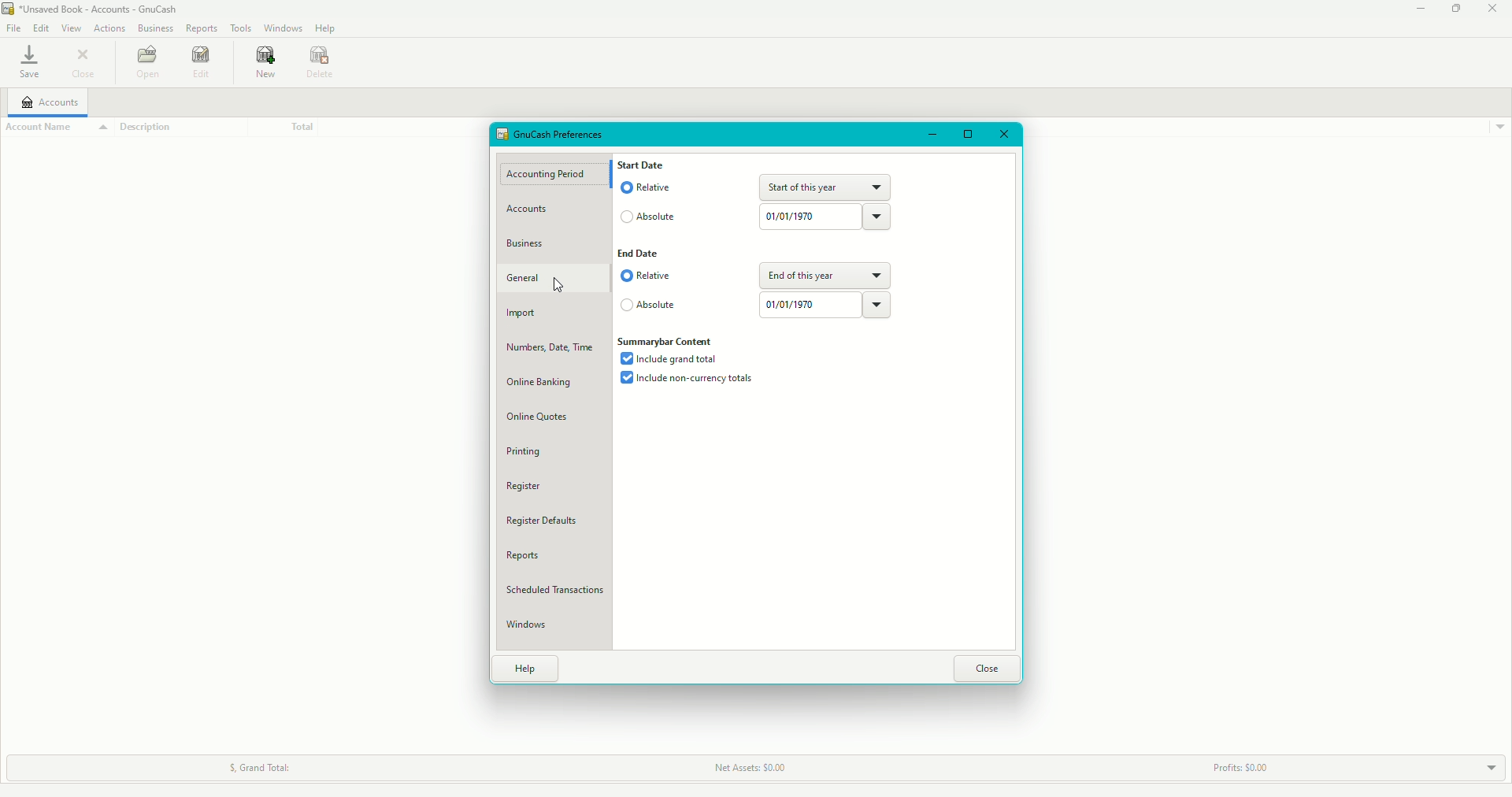  I want to click on Include grand total, so click(673, 358).